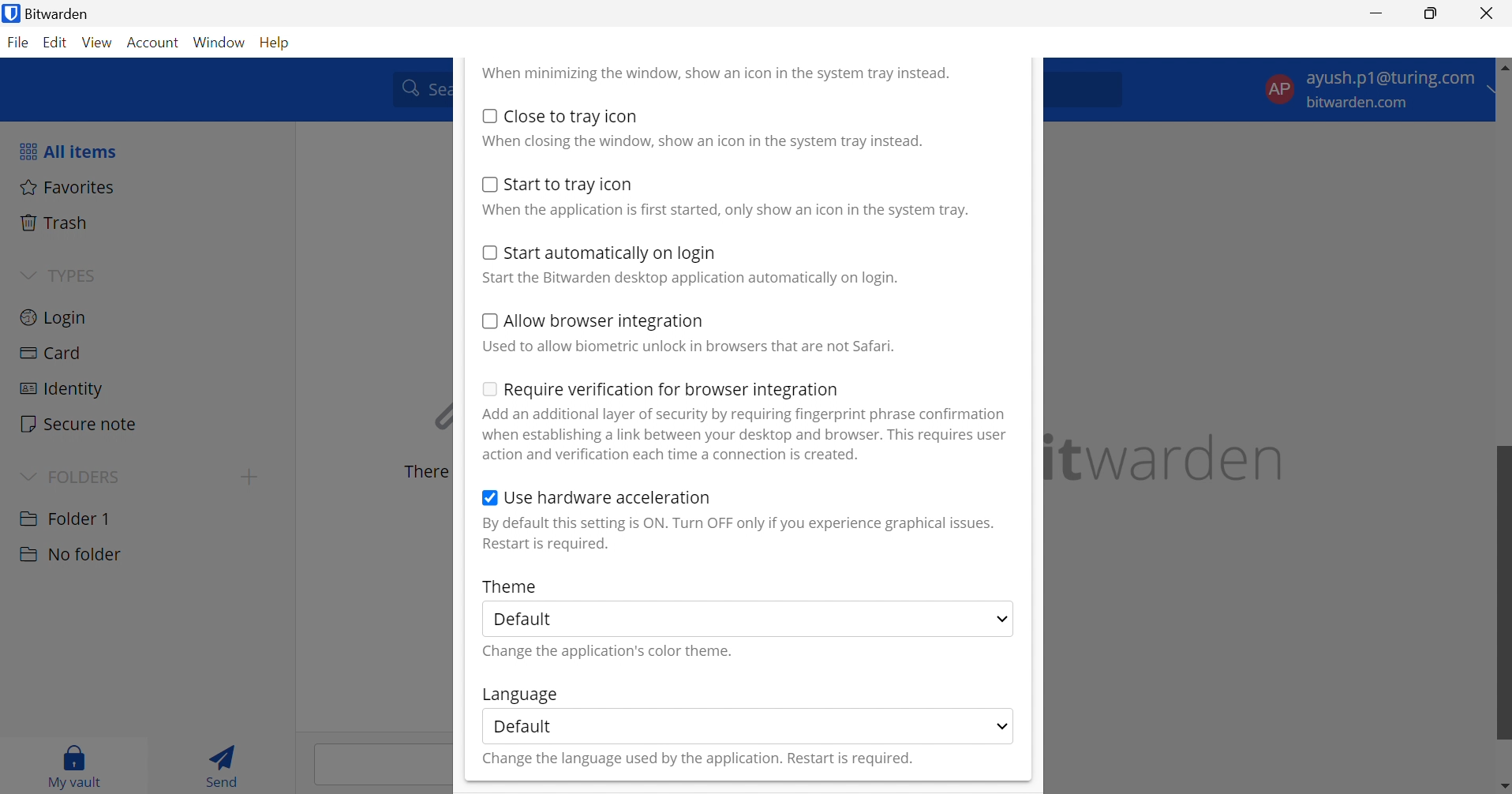 The width and height of the screenshot is (1512, 794). Describe the element at coordinates (747, 414) in the screenshot. I see `Add an additional layer of security by requiring fingerprint phrase confirmation` at that location.